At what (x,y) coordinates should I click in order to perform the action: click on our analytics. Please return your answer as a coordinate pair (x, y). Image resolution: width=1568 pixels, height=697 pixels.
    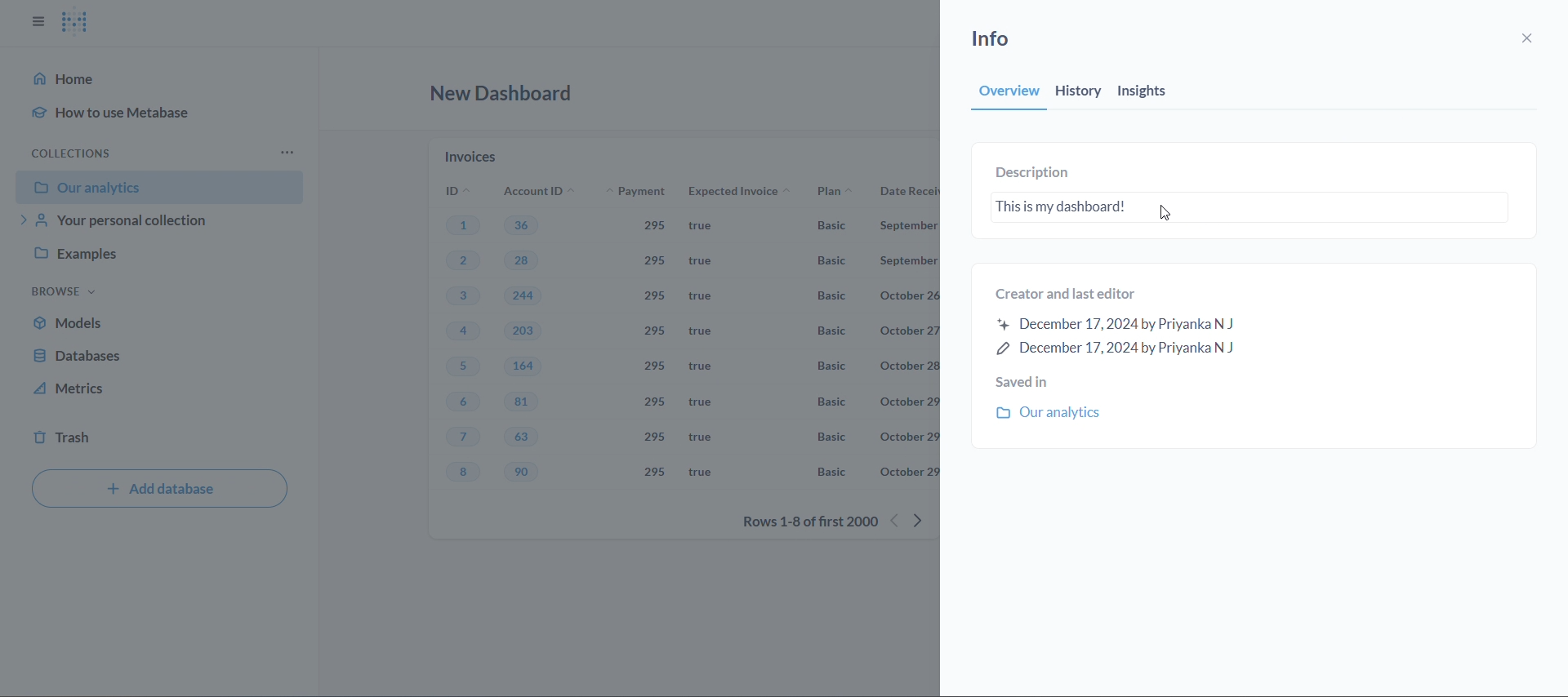
    Looking at the image, I should click on (159, 187).